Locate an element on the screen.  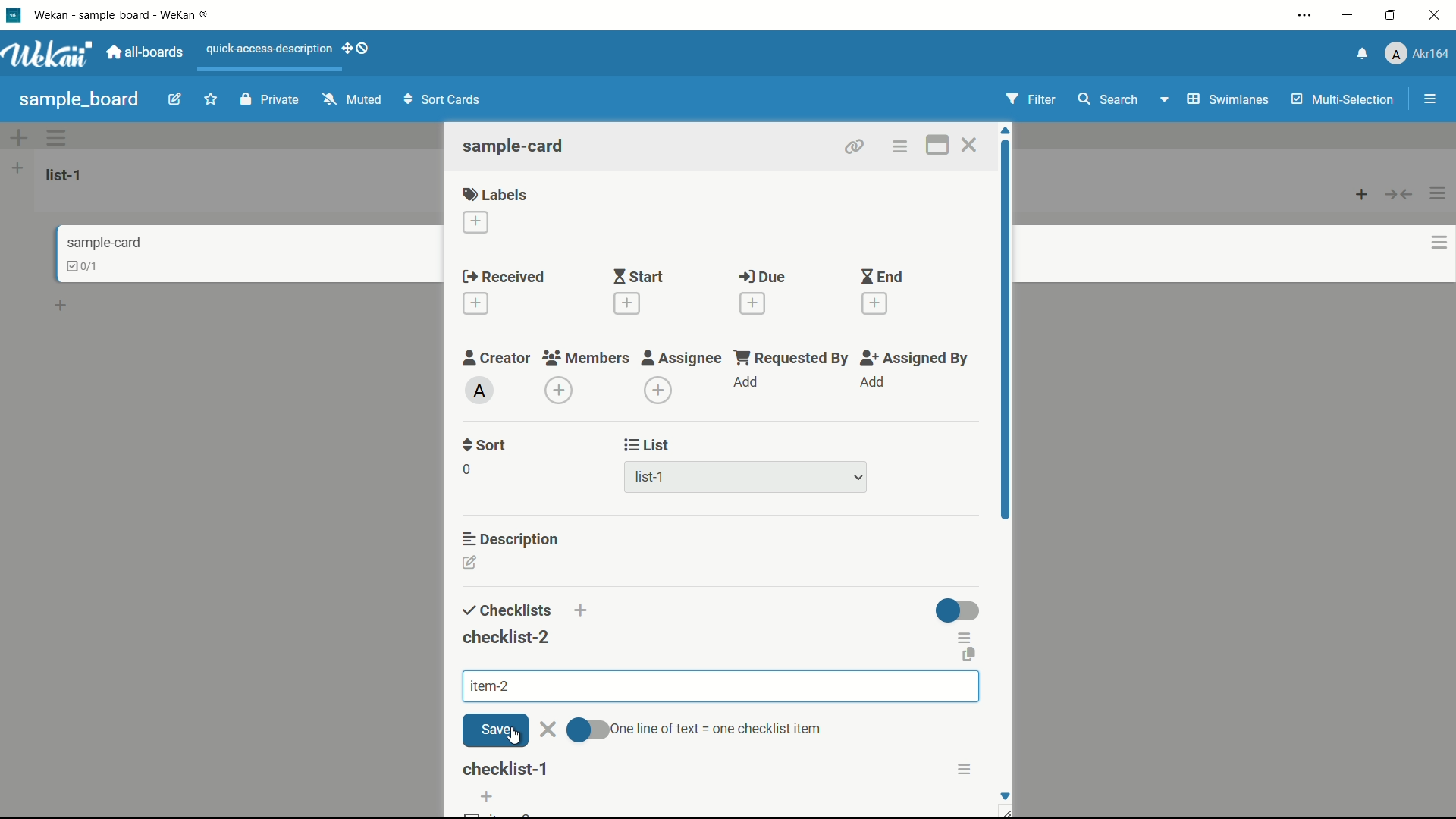
0 is located at coordinates (466, 469).